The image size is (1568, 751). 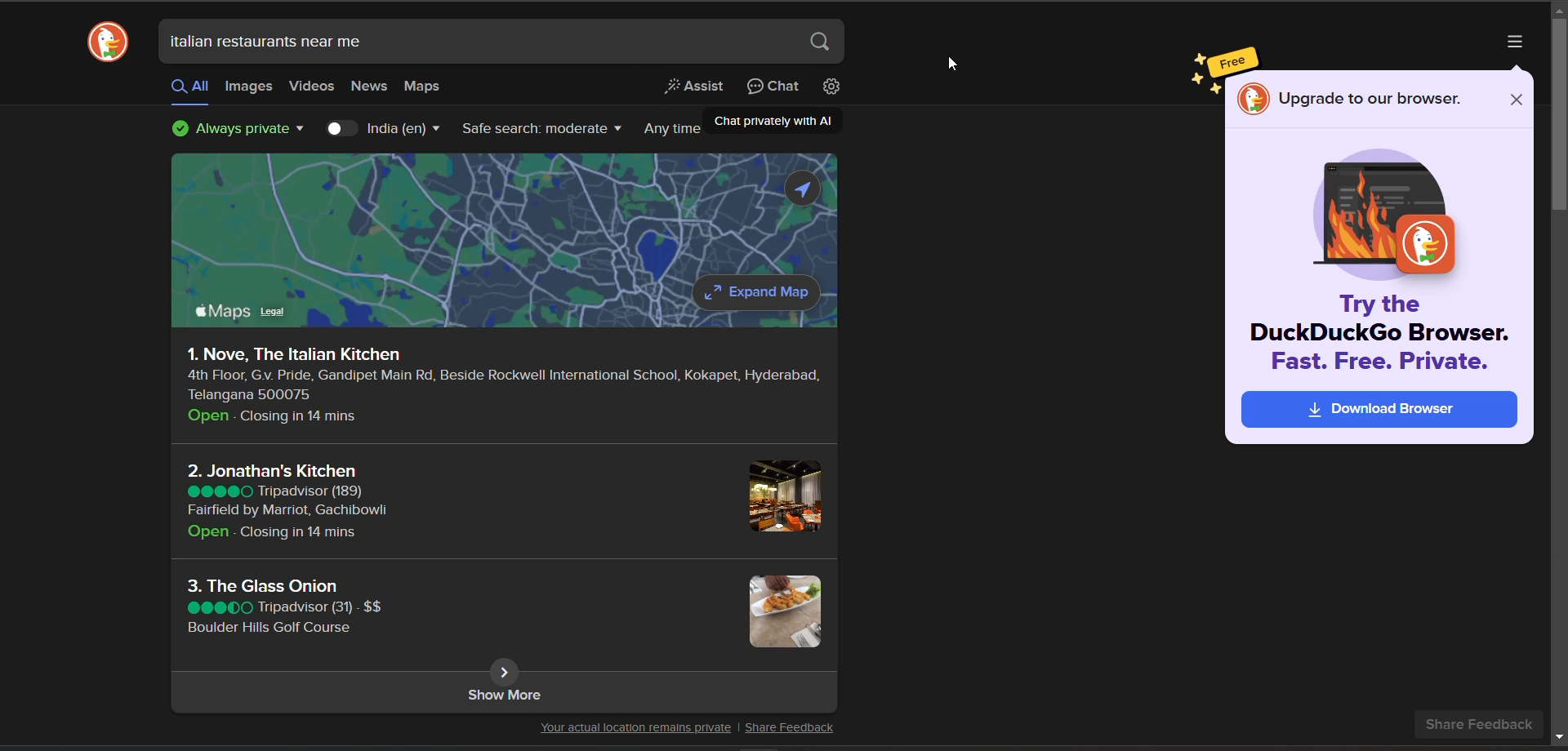 What do you see at coordinates (293, 354) in the screenshot?
I see `1. Nove, The Italian Kitchen` at bounding box center [293, 354].